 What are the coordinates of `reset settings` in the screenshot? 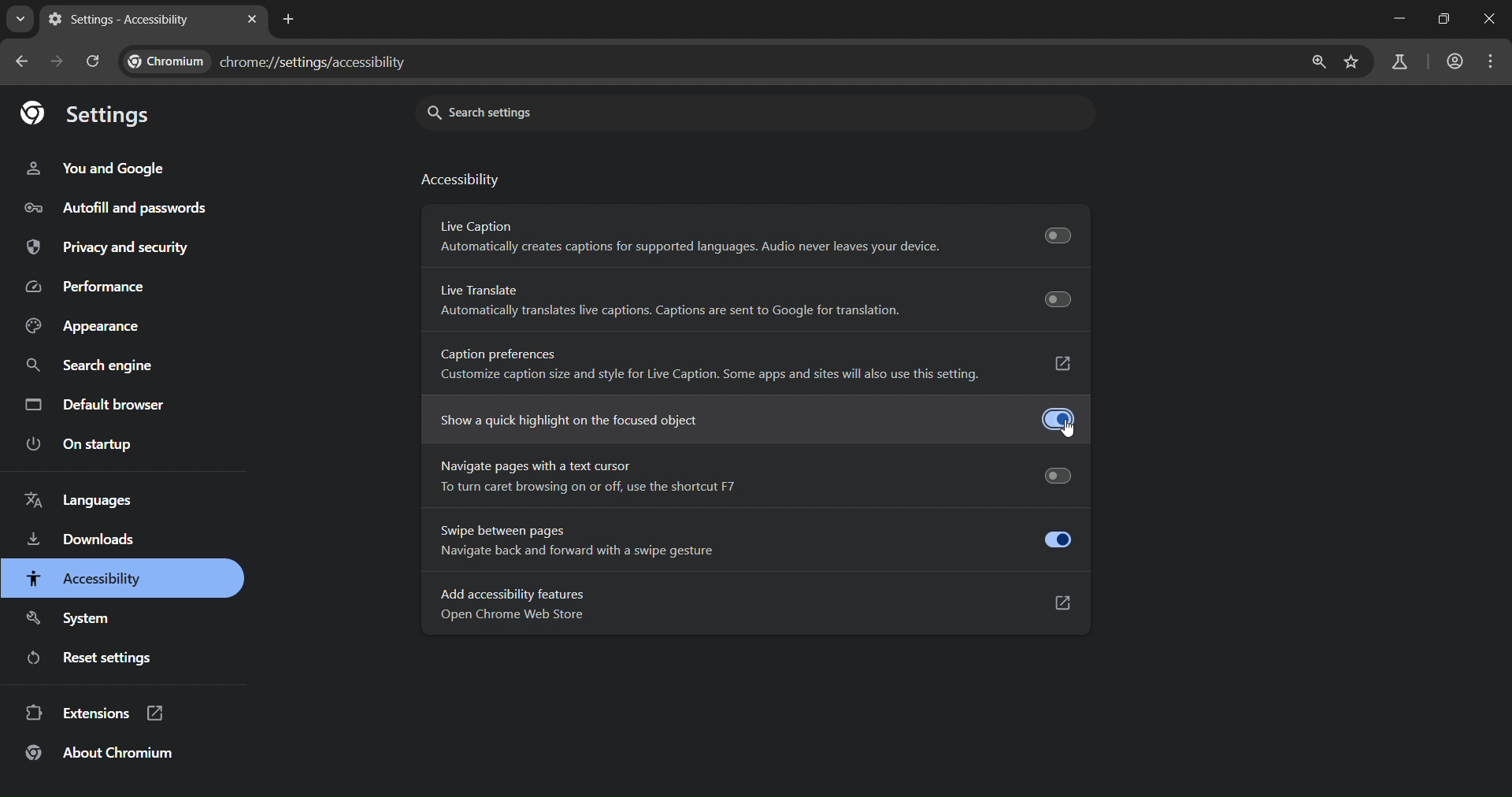 It's located at (88, 657).